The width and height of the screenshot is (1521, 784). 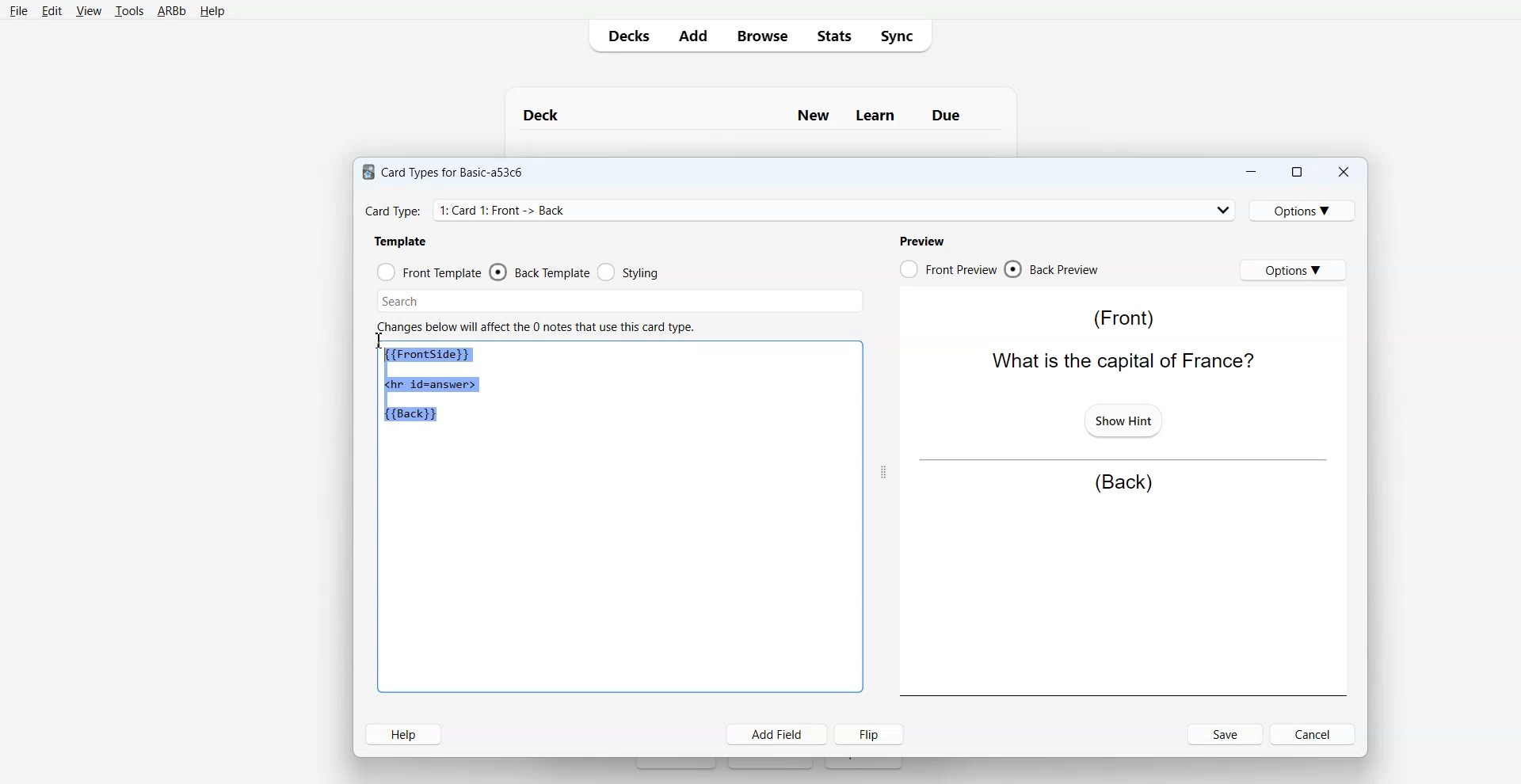 I want to click on Tools, so click(x=129, y=12).